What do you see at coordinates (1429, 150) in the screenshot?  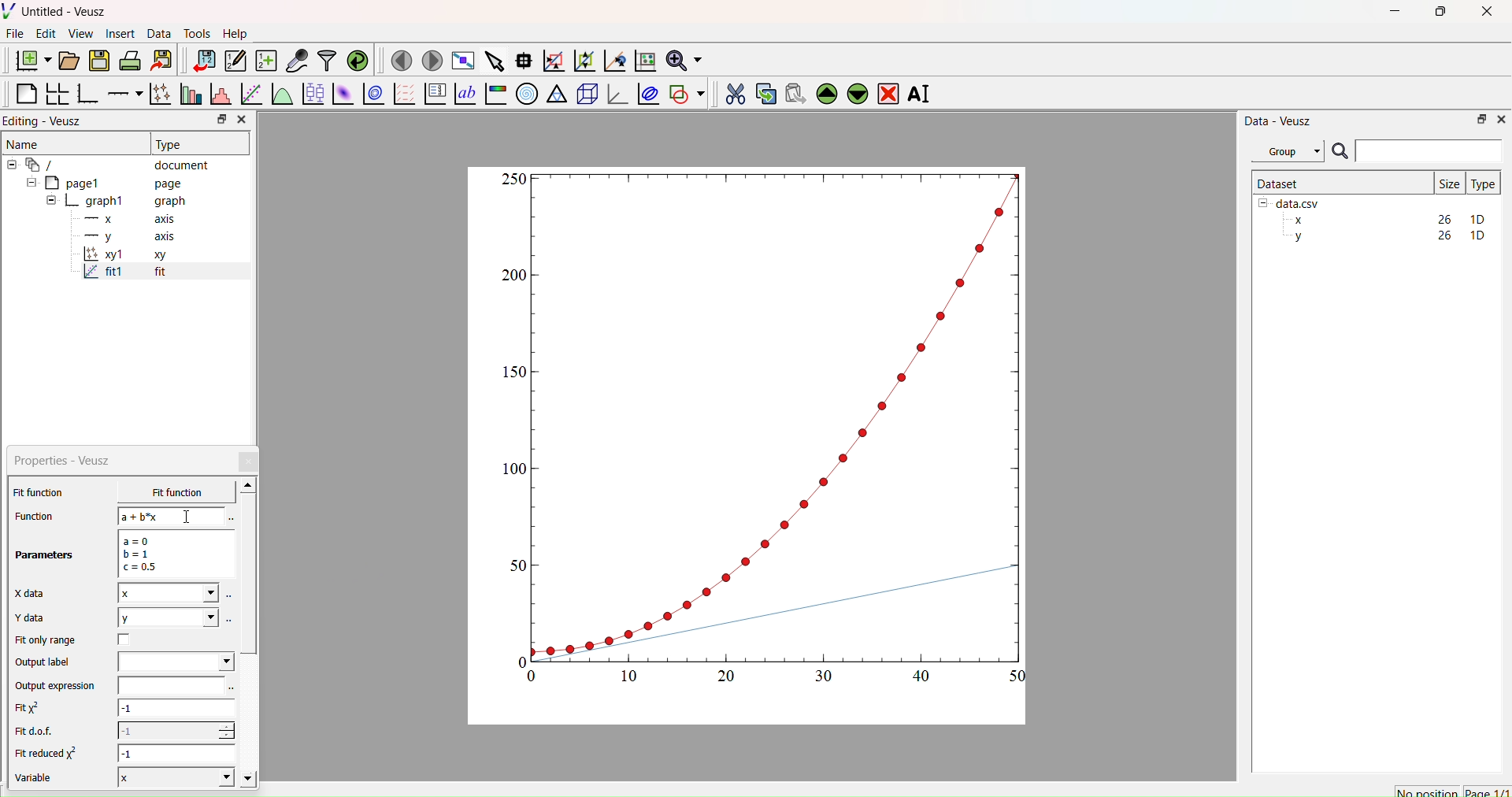 I see `Input` at bounding box center [1429, 150].